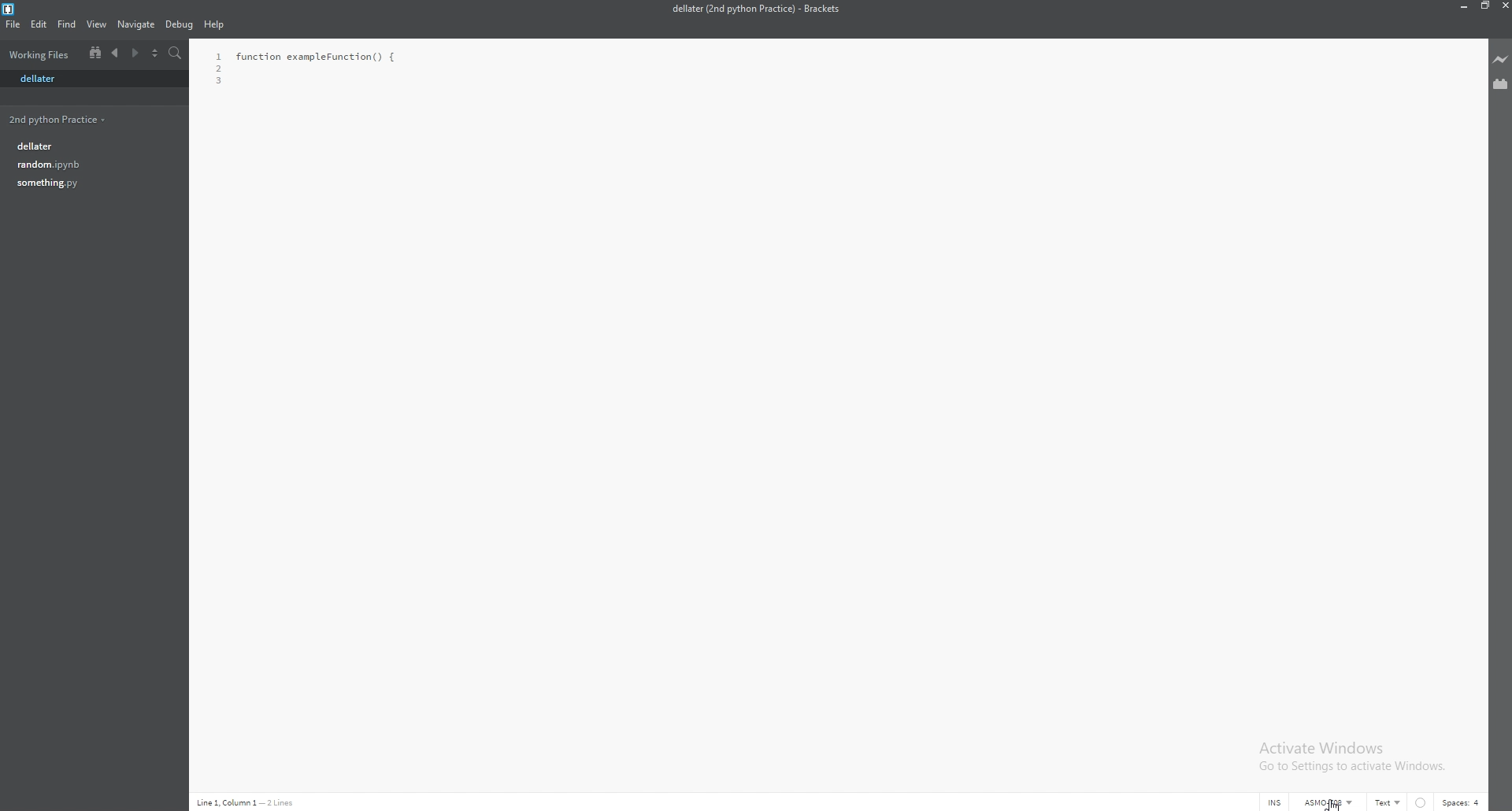  I want to click on split view, so click(94, 54).